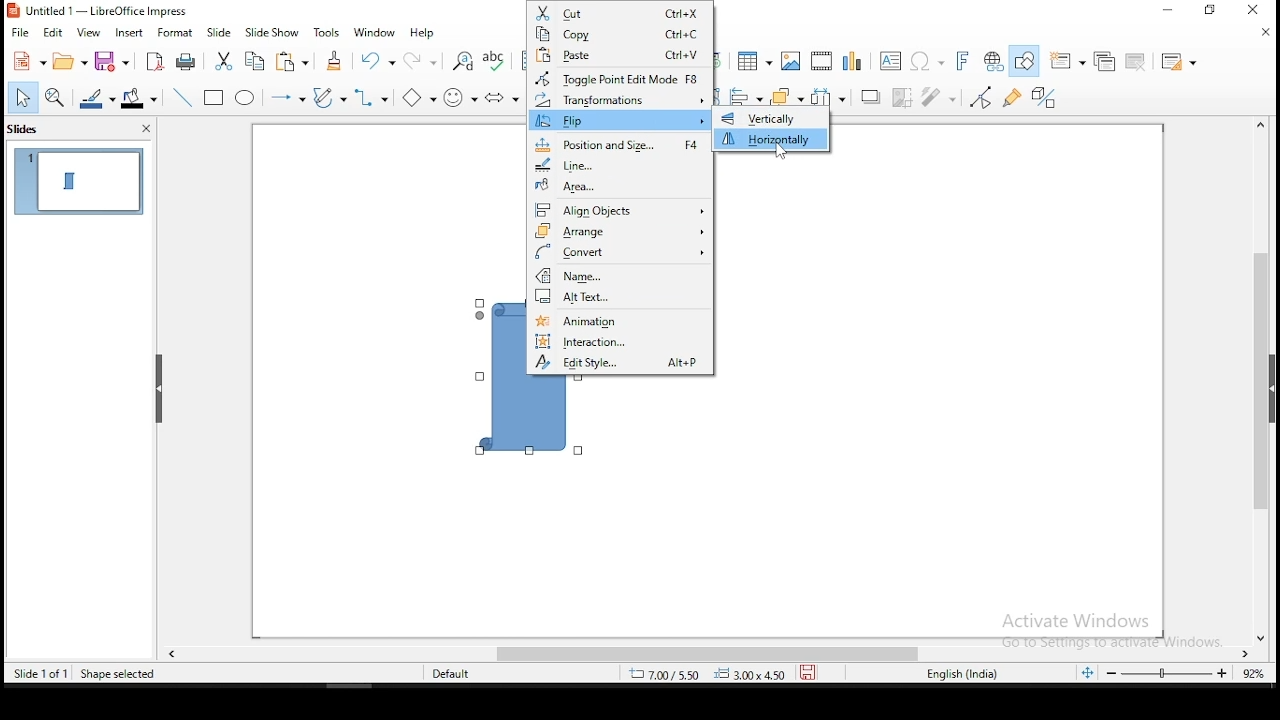  Describe the element at coordinates (67, 61) in the screenshot. I see `open` at that location.